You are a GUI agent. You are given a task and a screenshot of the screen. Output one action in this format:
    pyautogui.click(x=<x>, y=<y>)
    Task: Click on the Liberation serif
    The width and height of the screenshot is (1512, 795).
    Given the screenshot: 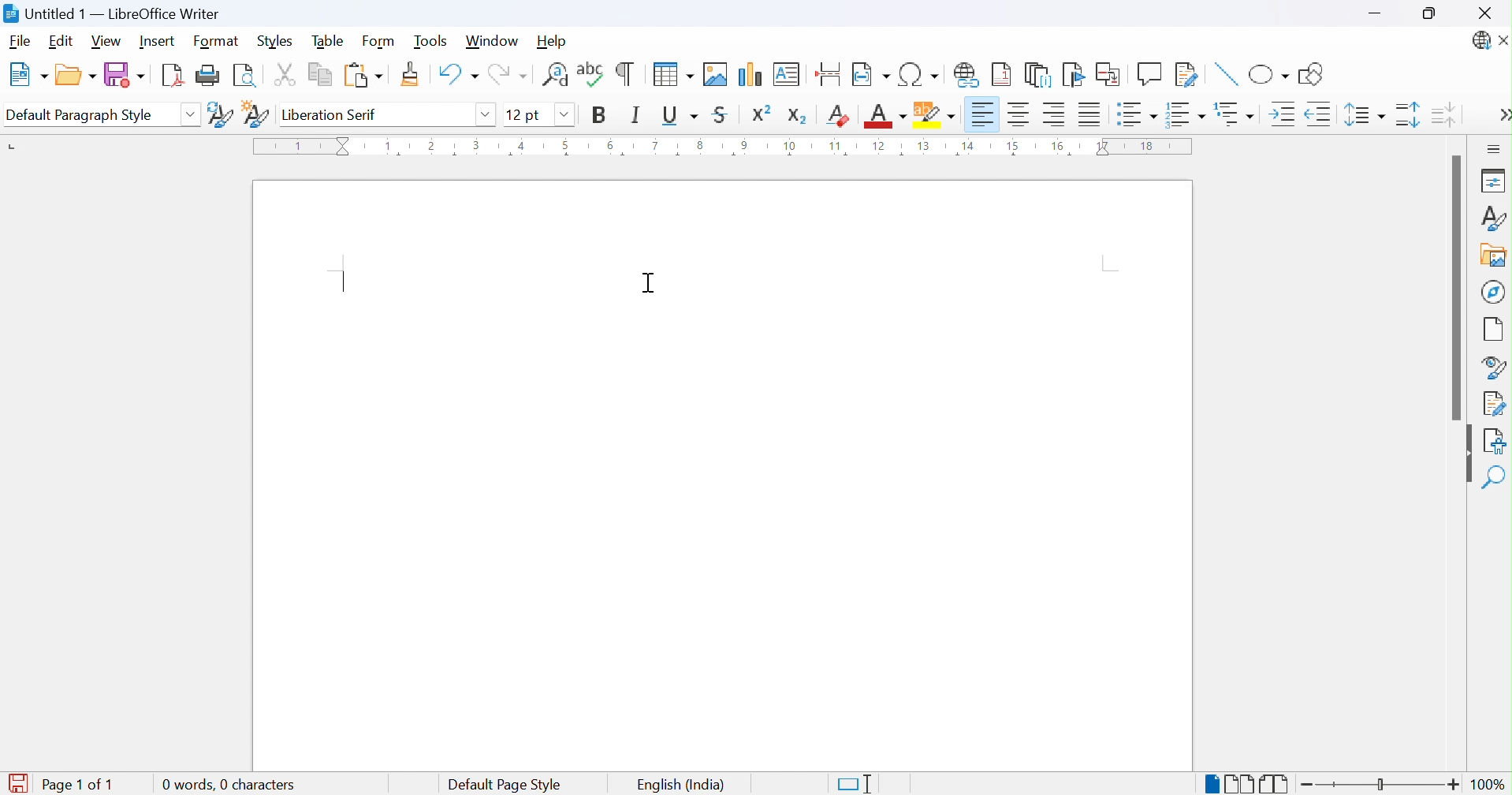 What is the action you would take?
    pyautogui.click(x=333, y=114)
    